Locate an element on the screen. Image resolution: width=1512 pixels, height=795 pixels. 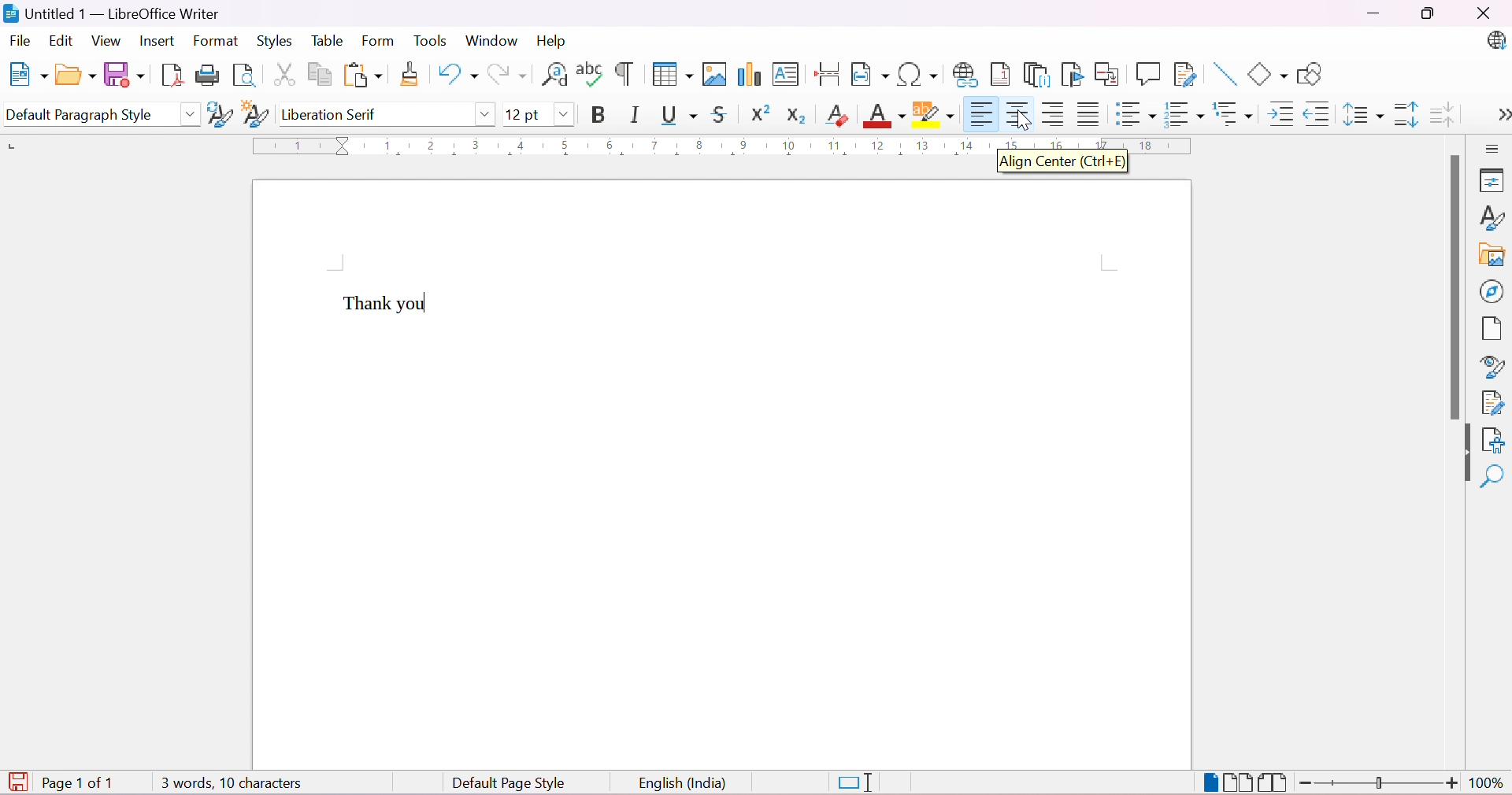
New Style from Selection is located at coordinates (254, 113).